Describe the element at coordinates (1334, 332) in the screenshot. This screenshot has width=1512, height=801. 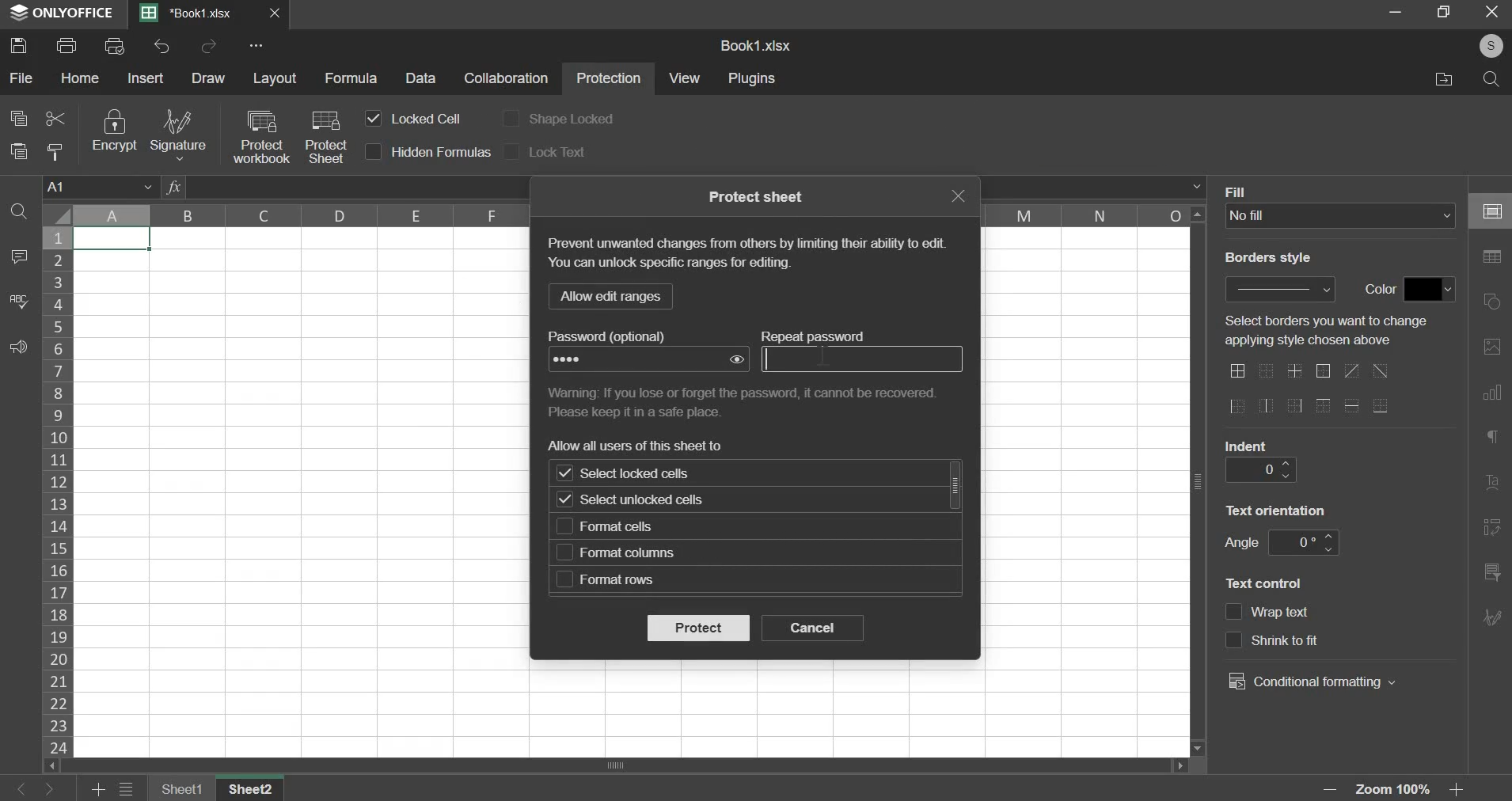
I see `text` at that location.